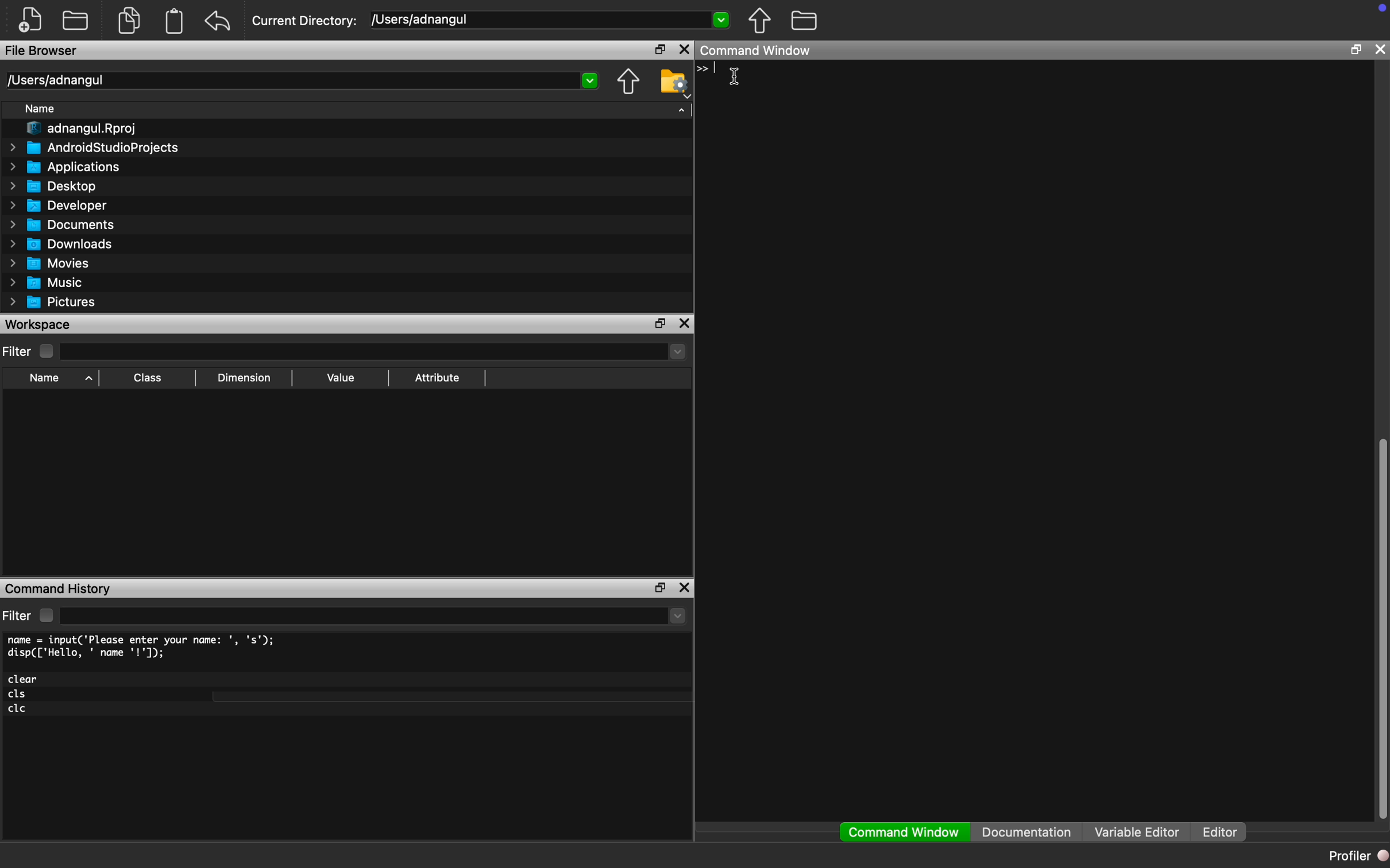  Describe the element at coordinates (678, 616) in the screenshot. I see `dropdown` at that location.